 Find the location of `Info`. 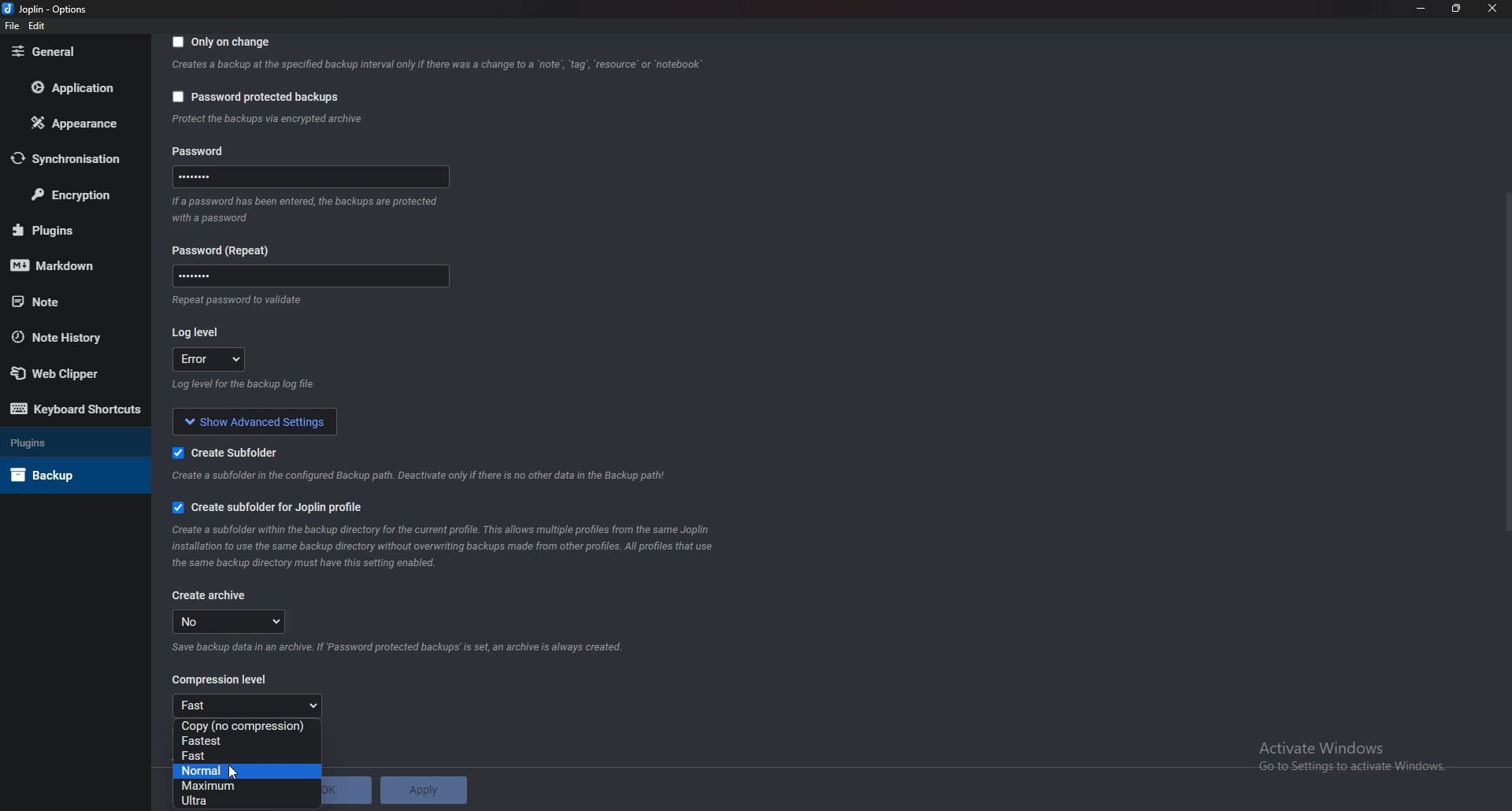

Info is located at coordinates (405, 646).